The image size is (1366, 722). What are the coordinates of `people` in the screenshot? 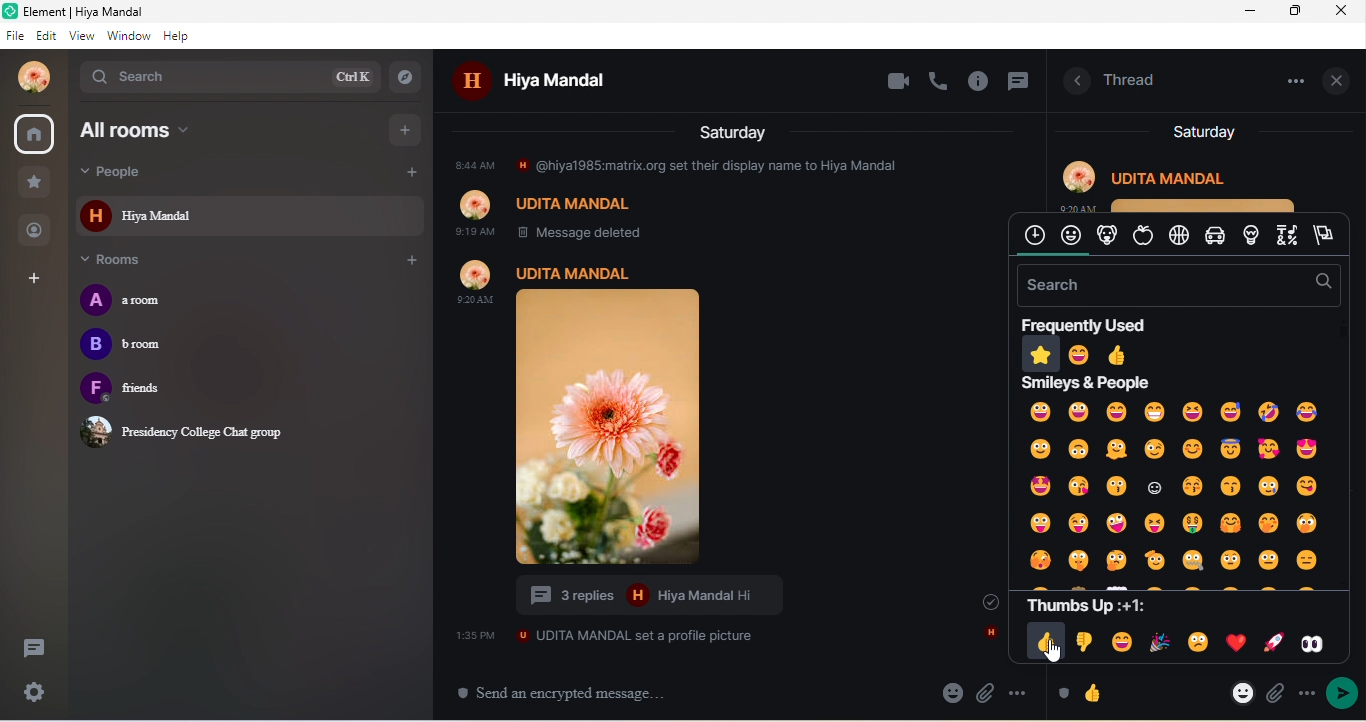 It's located at (36, 229).